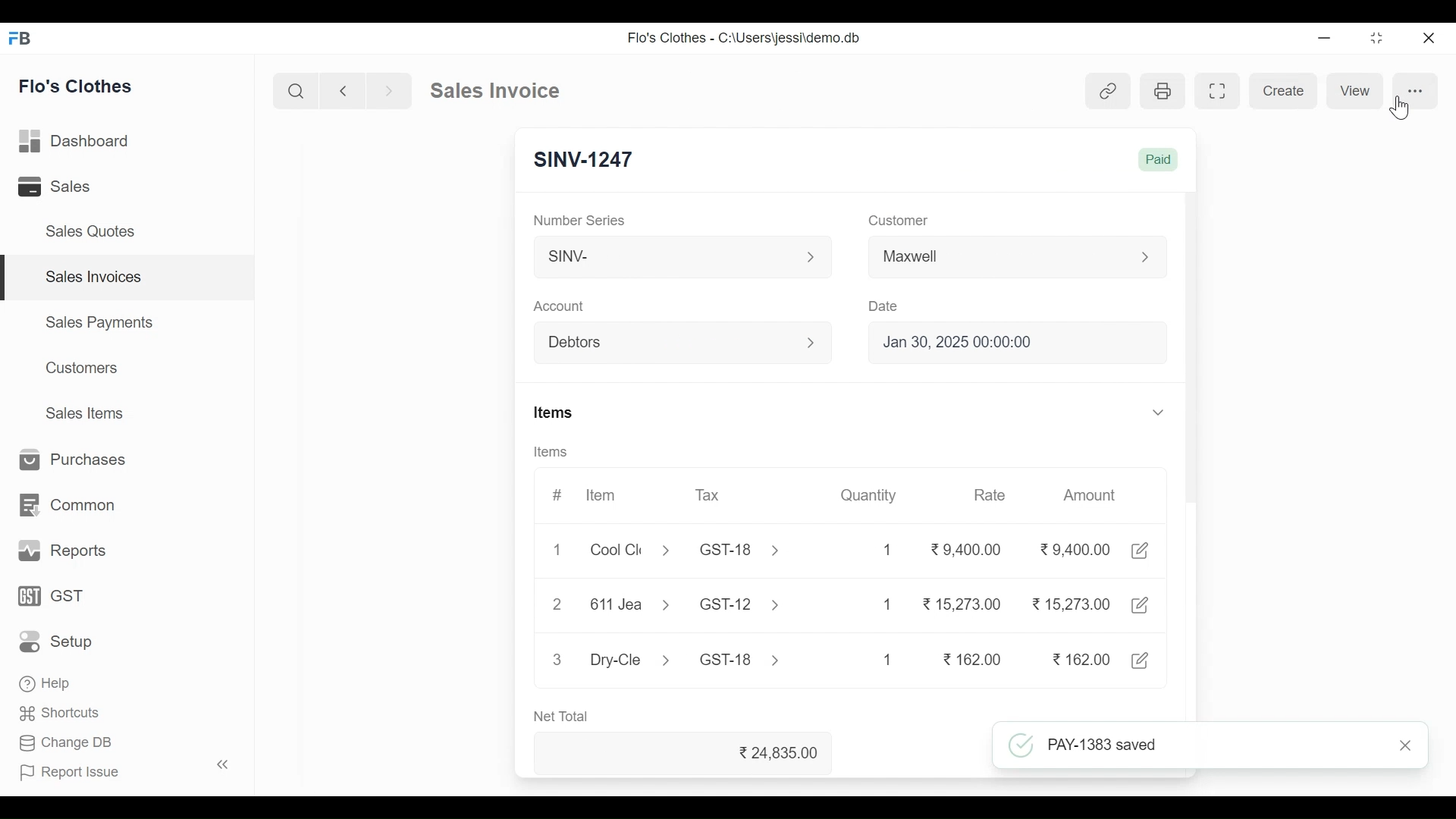 This screenshot has width=1456, height=819. Describe the element at coordinates (51, 597) in the screenshot. I see `GST` at that location.